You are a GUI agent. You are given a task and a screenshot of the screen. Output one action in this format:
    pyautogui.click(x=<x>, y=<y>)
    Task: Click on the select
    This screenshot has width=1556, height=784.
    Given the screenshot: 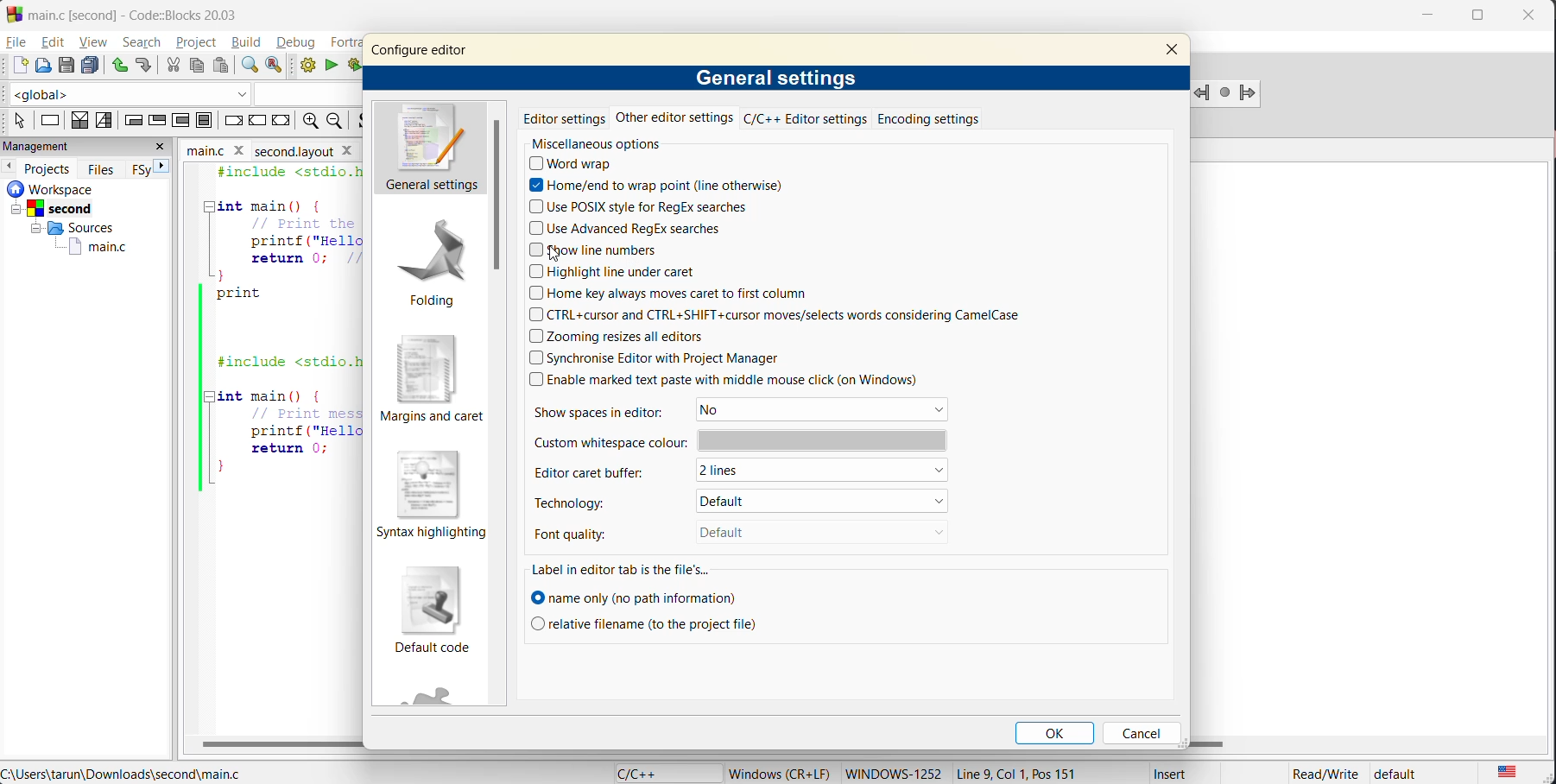 What is the action you would take?
    pyautogui.click(x=16, y=122)
    